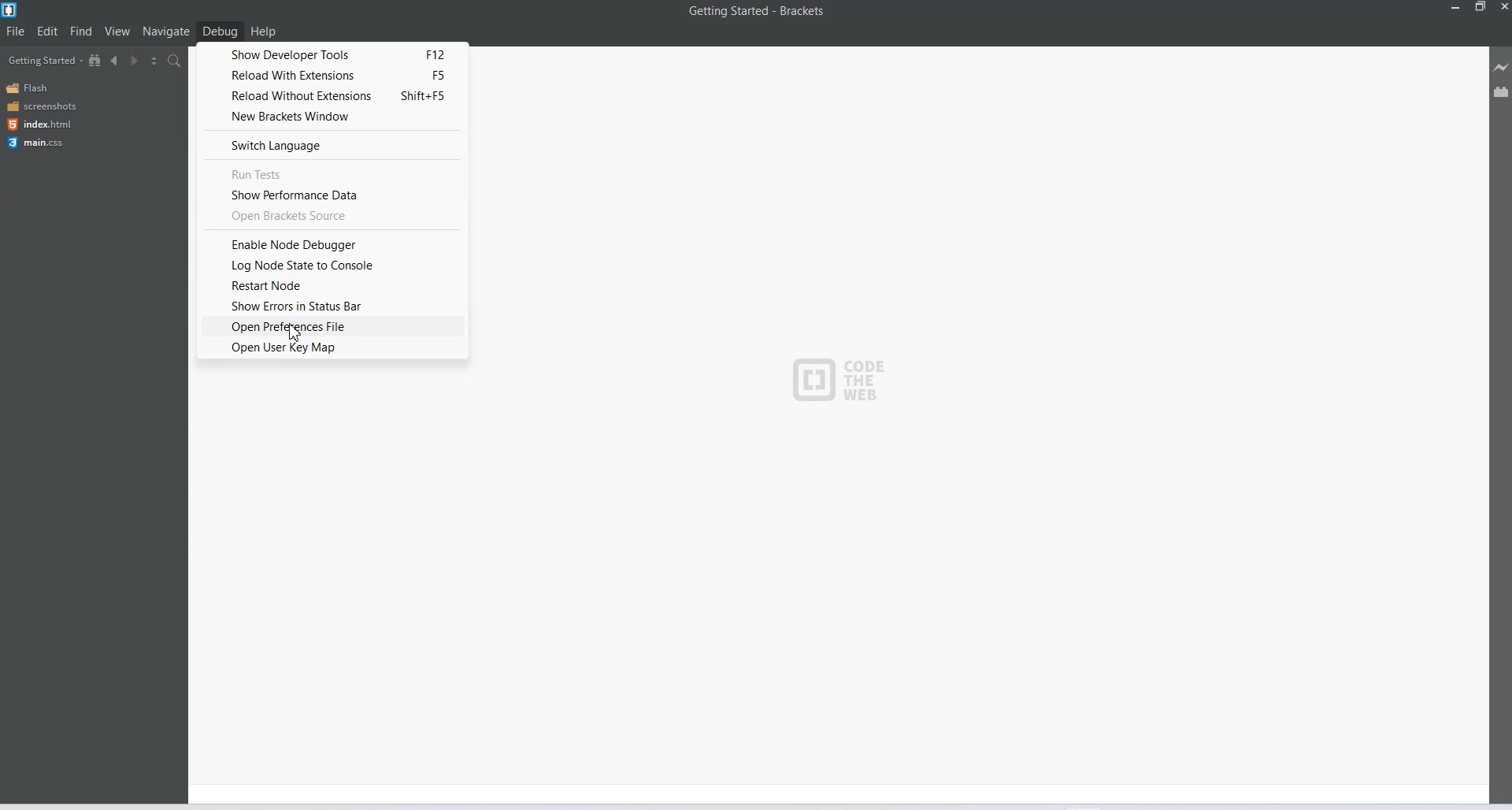  I want to click on Logo, so click(11, 10).